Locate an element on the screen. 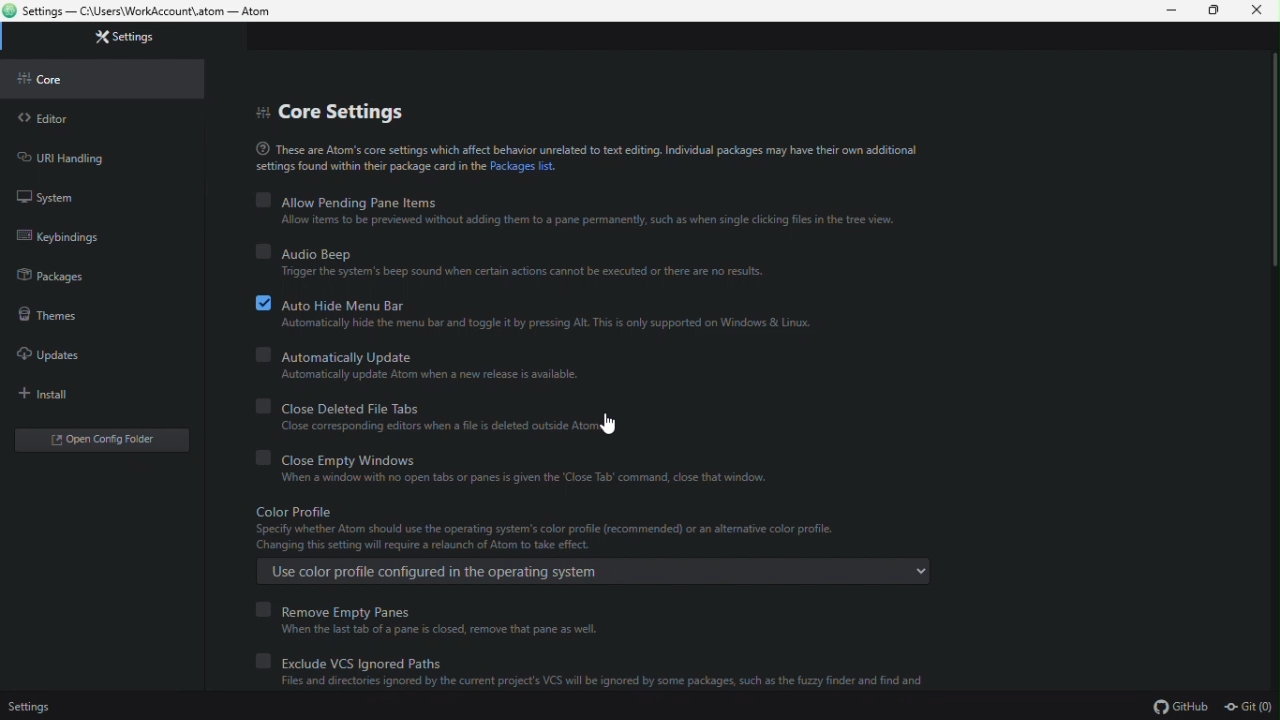 The height and width of the screenshot is (720, 1280). restore is located at coordinates (1218, 11).